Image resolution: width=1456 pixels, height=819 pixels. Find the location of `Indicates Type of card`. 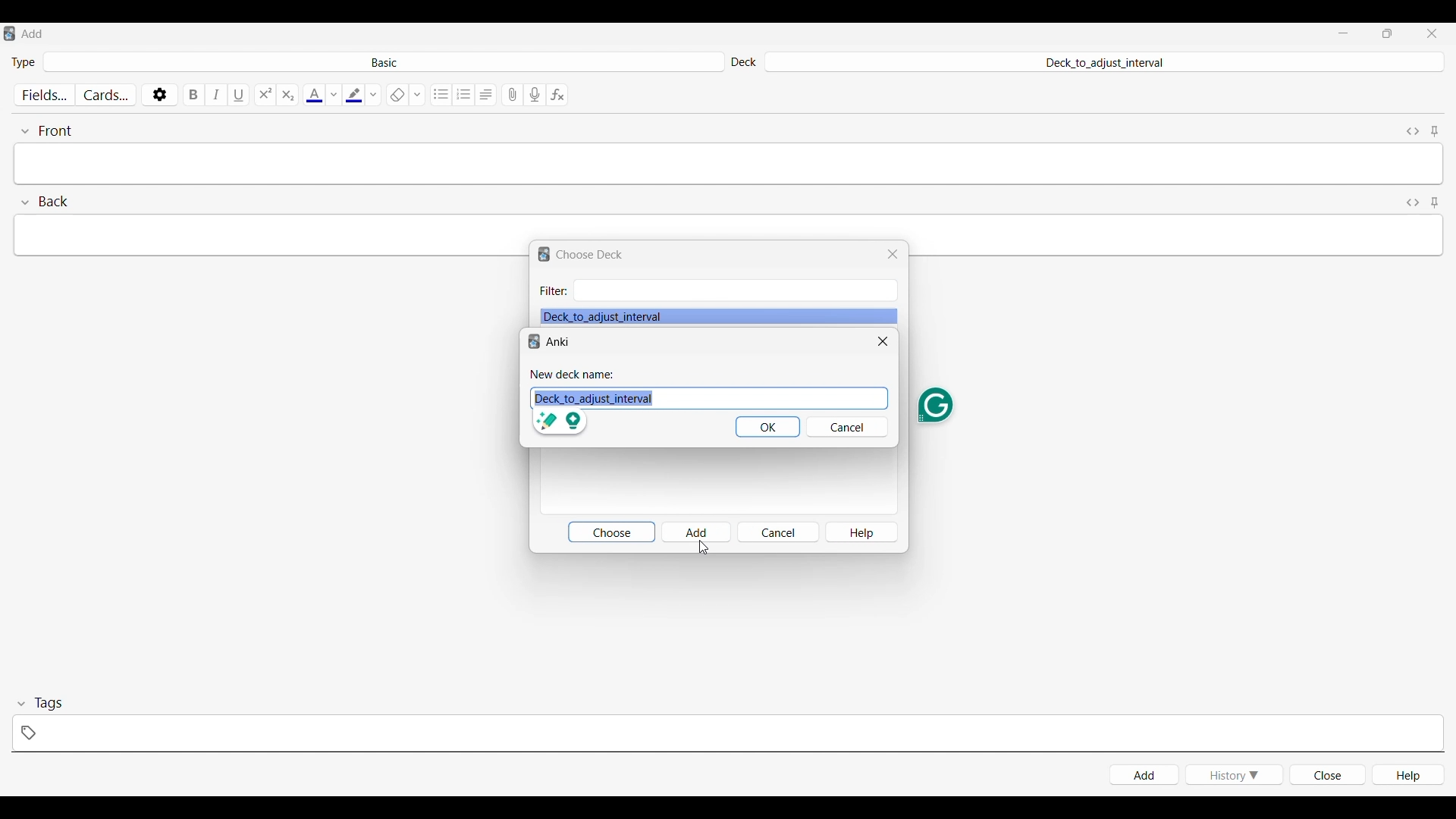

Indicates Type of card is located at coordinates (24, 62).